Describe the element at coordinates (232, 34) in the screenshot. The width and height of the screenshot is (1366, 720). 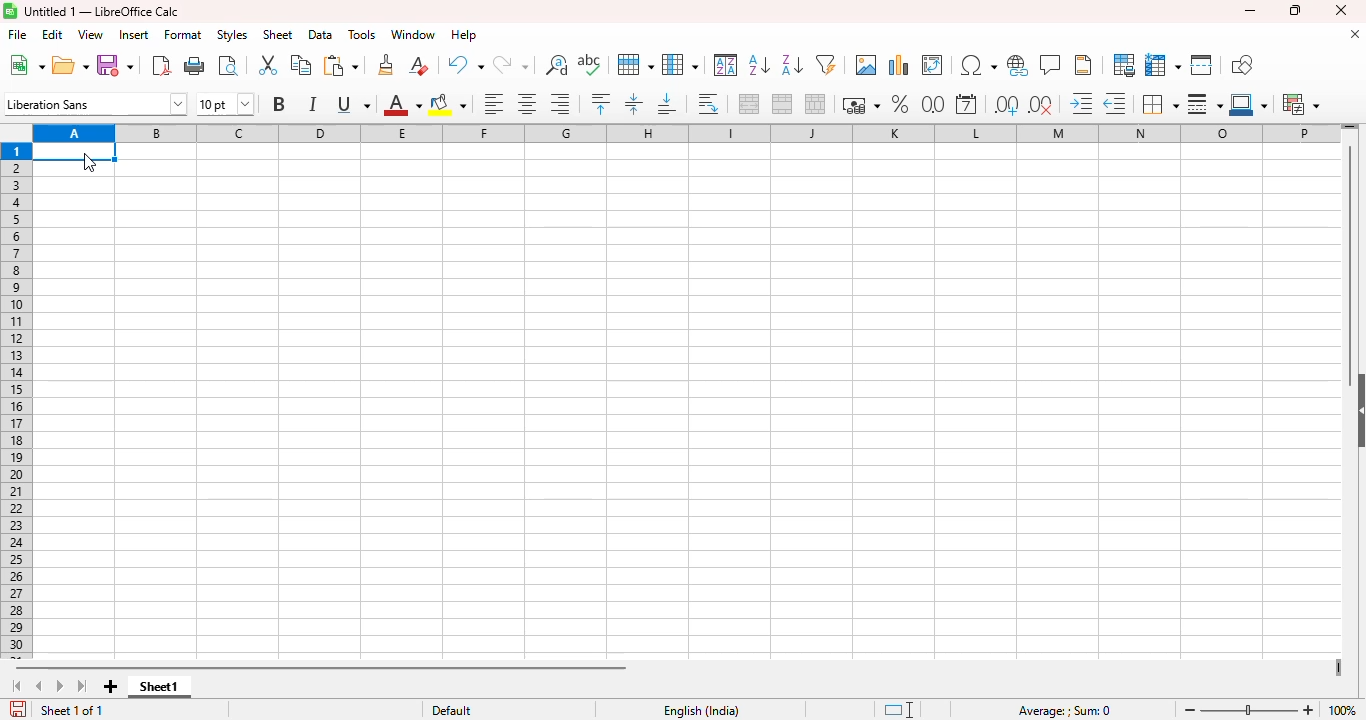
I see `styles` at that location.